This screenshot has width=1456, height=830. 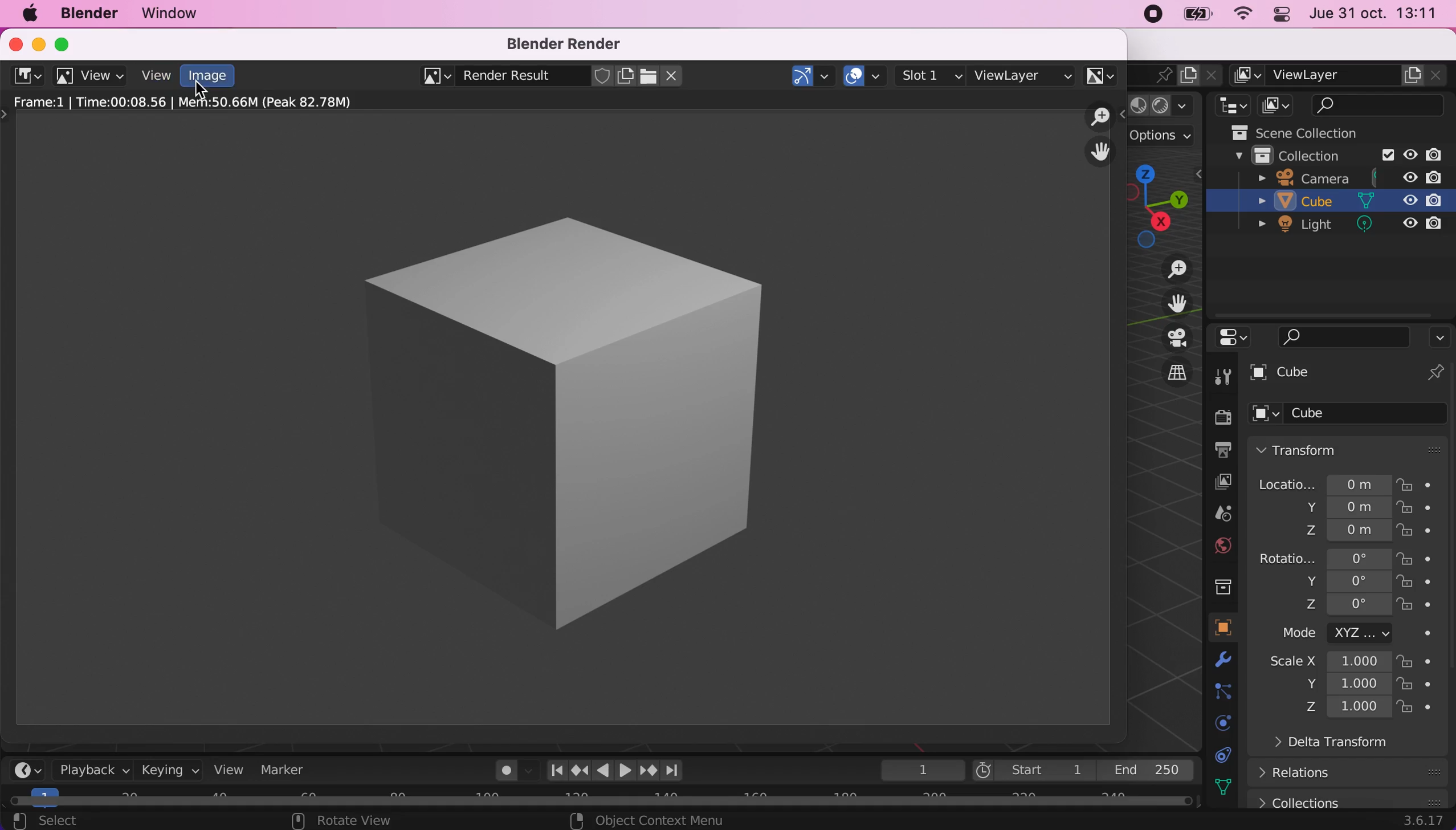 I want to click on collection, so click(x=1328, y=154).